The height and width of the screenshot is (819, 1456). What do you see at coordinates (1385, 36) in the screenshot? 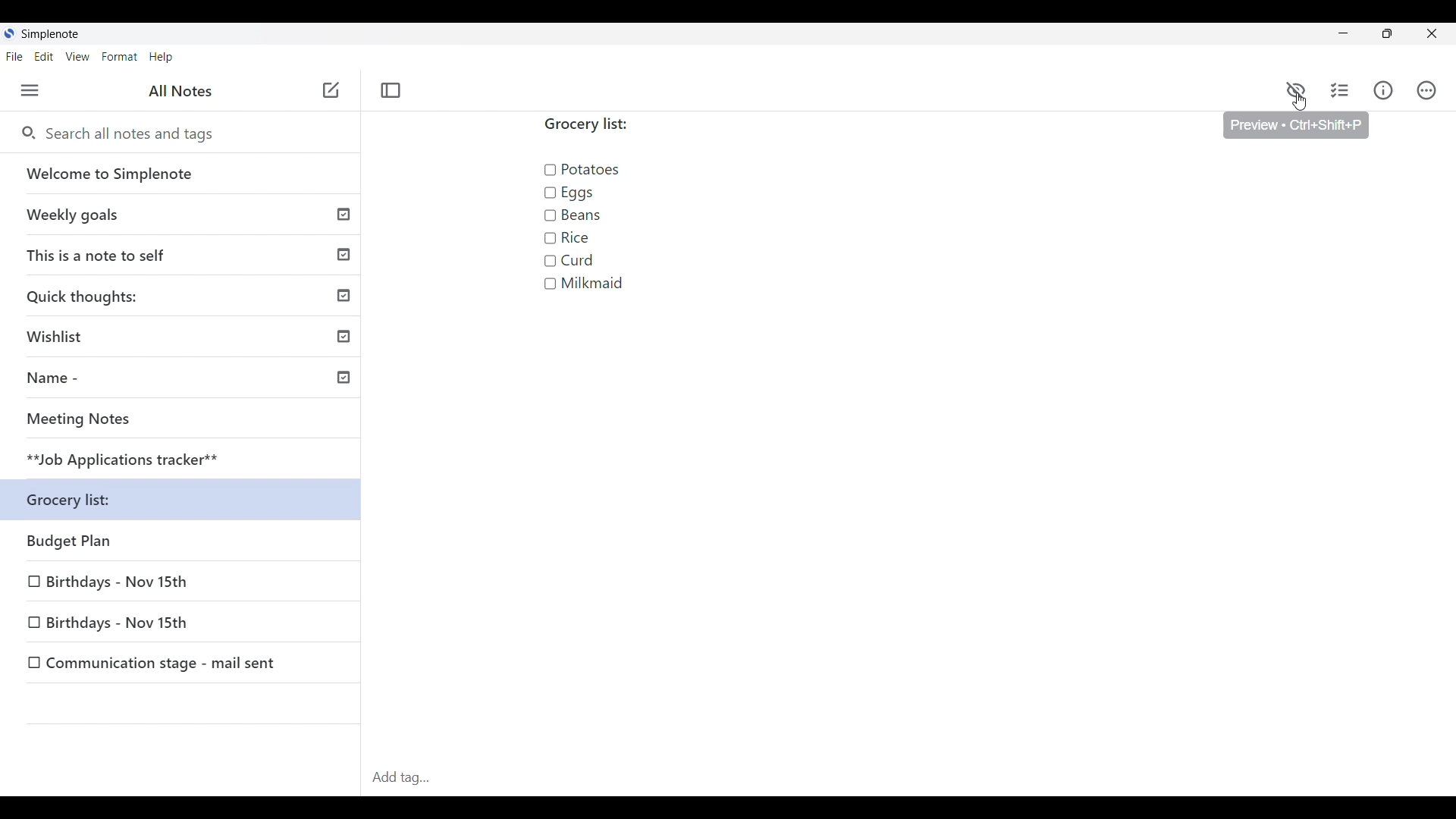
I see `Resize` at bounding box center [1385, 36].